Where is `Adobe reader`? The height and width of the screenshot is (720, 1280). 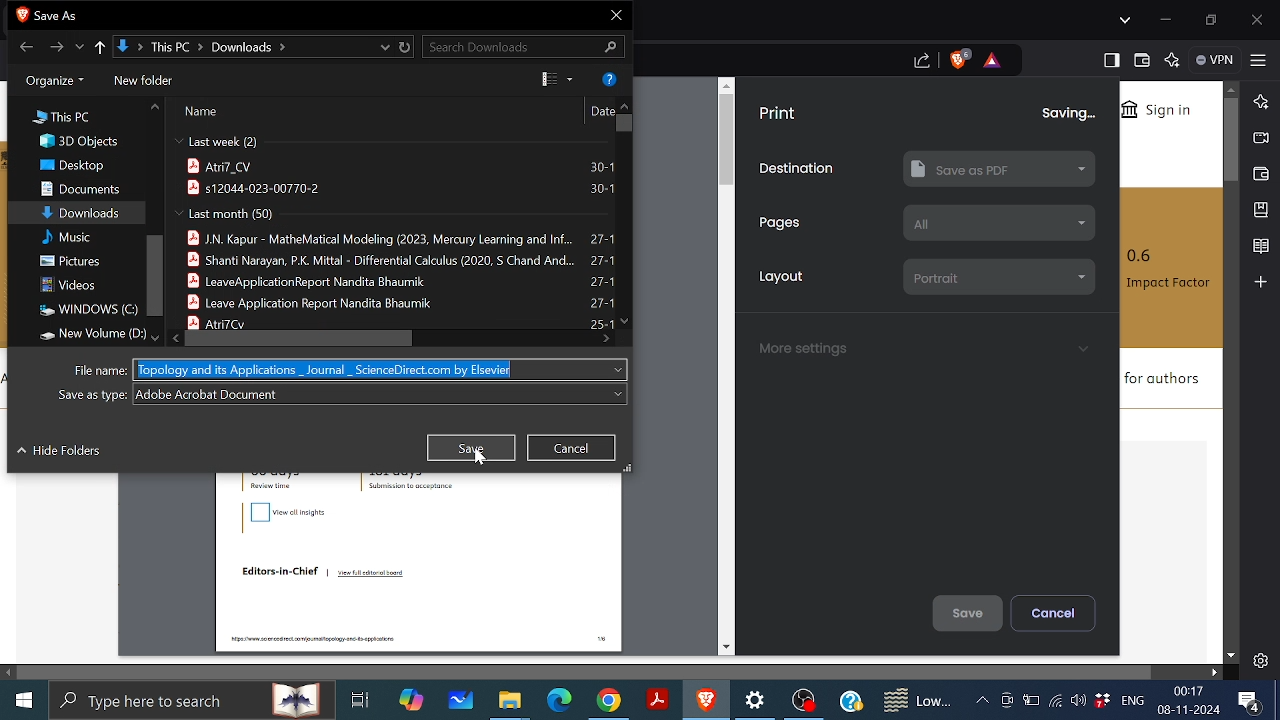 Adobe reader is located at coordinates (658, 699).